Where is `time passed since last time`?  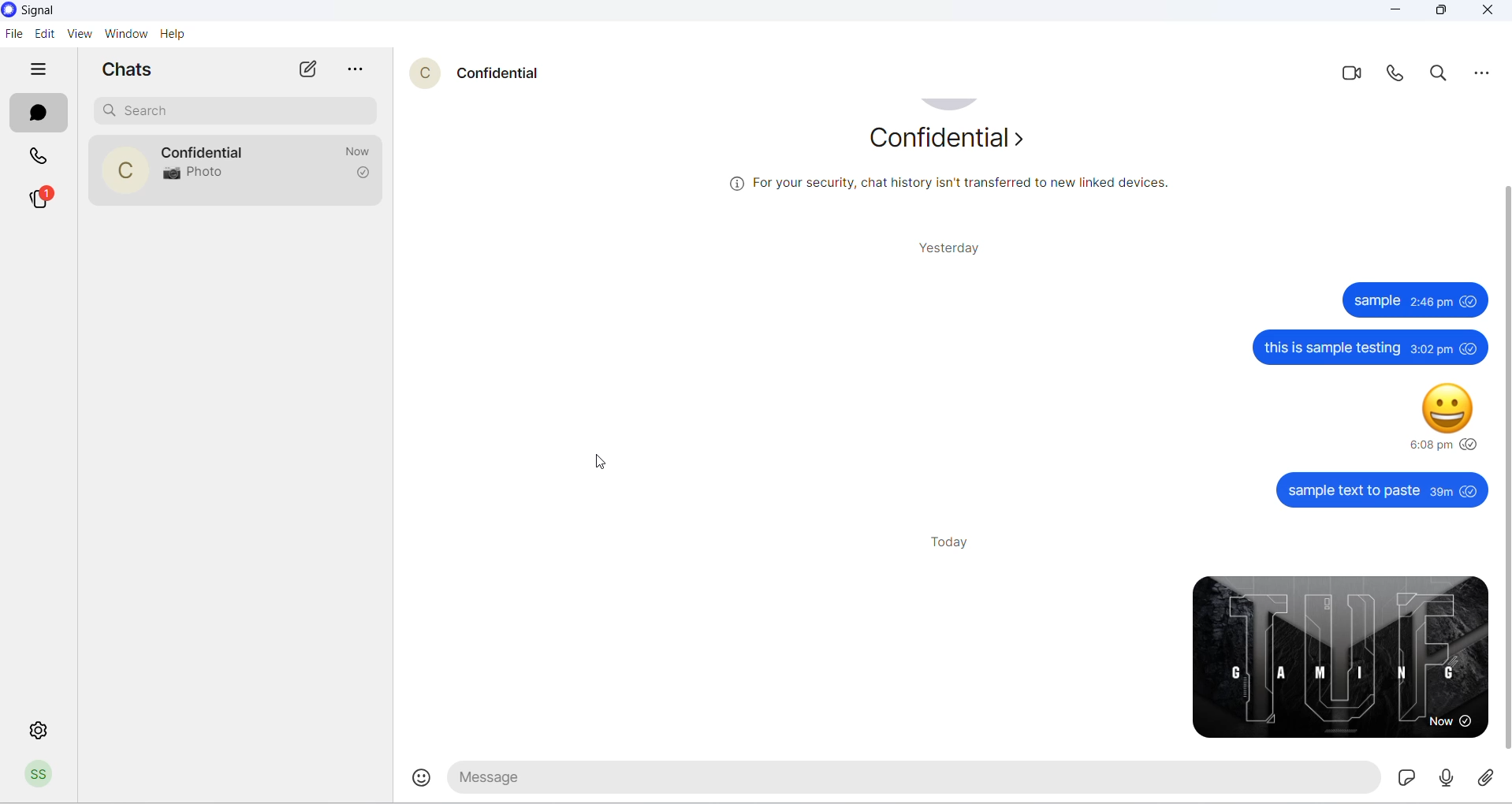
time passed since last time is located at coordinates (356, 151).